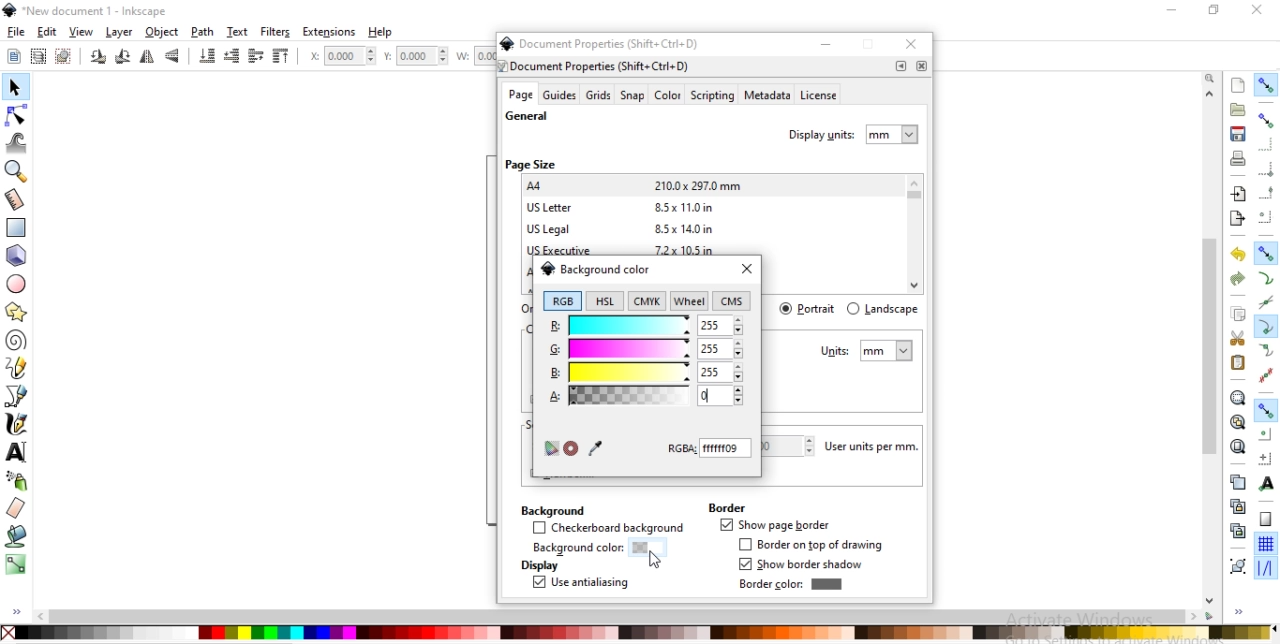 This screenshot has width=1280, height=644. What do you see at coordinates (595, 268) in the screenshot?
I see `background color` at bounding box center [595, 268].